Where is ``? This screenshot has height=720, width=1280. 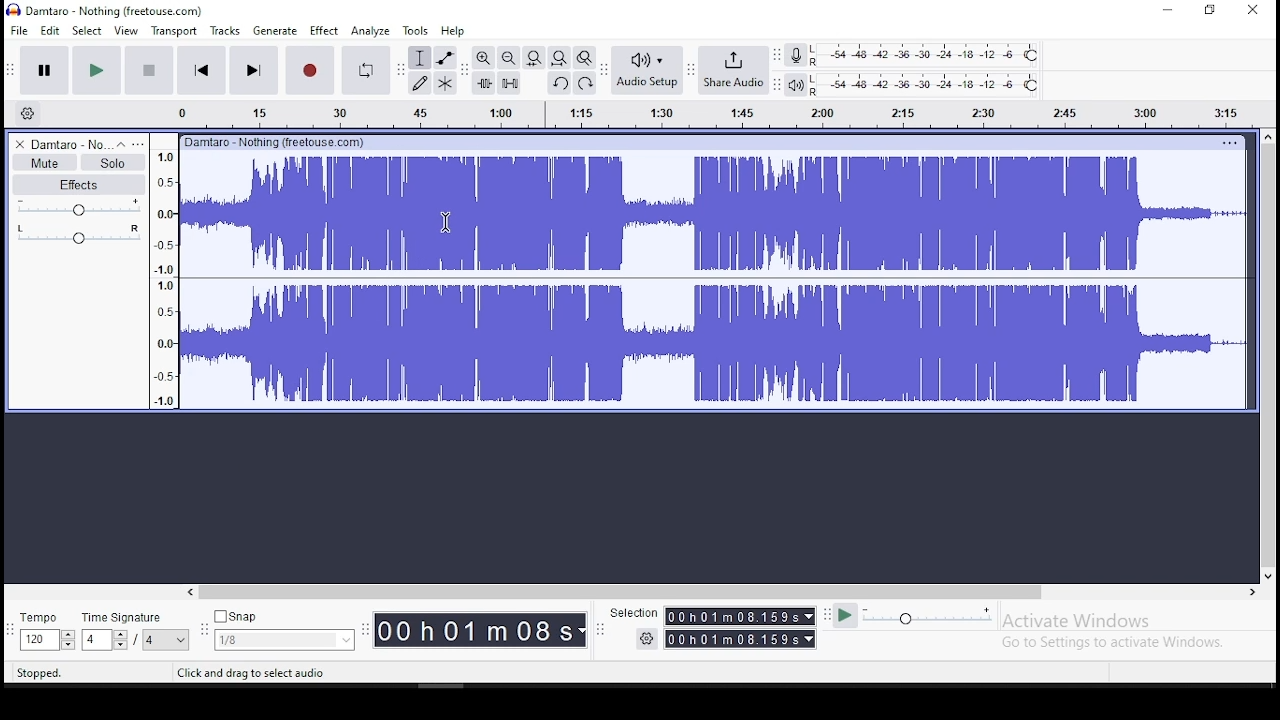
 is located at coordinates (604, 69).